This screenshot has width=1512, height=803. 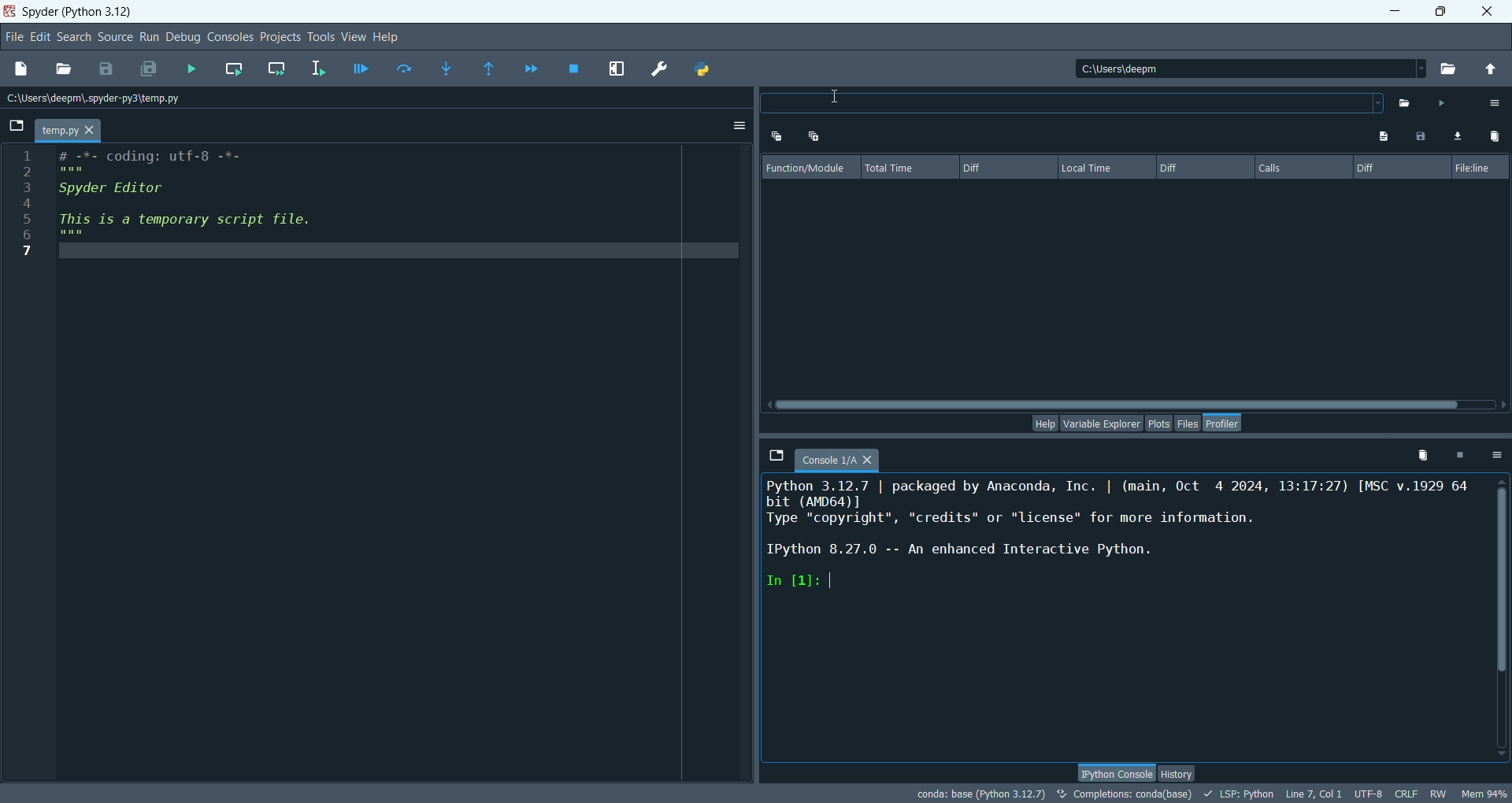 What do you see at coordinates (976, 792) in the screenshot?
I see `conda:base` at bounding box center [976, 792].